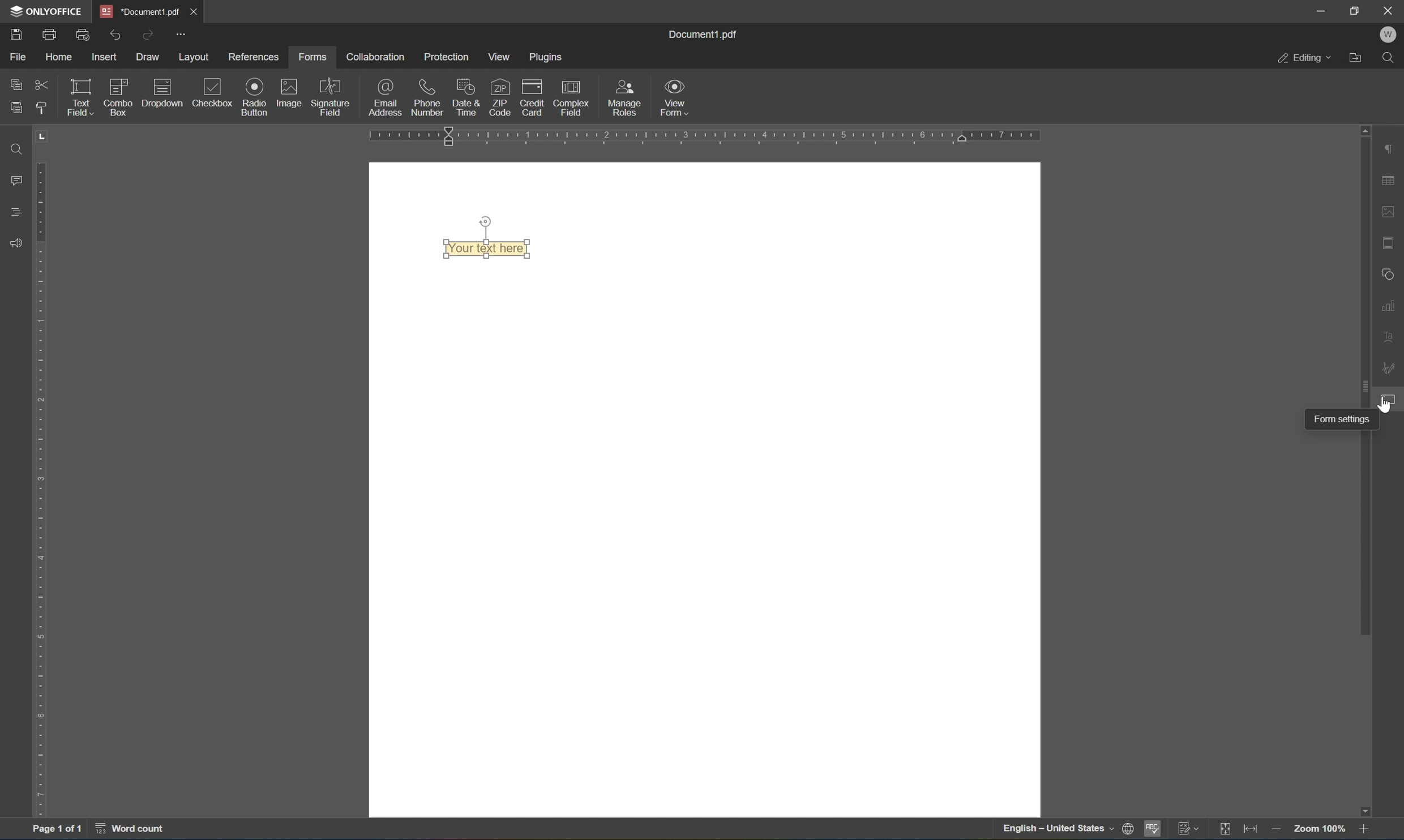  Describe the element at coordinates (1278, 830) in the screenshot. I see `zoom out` at that location.